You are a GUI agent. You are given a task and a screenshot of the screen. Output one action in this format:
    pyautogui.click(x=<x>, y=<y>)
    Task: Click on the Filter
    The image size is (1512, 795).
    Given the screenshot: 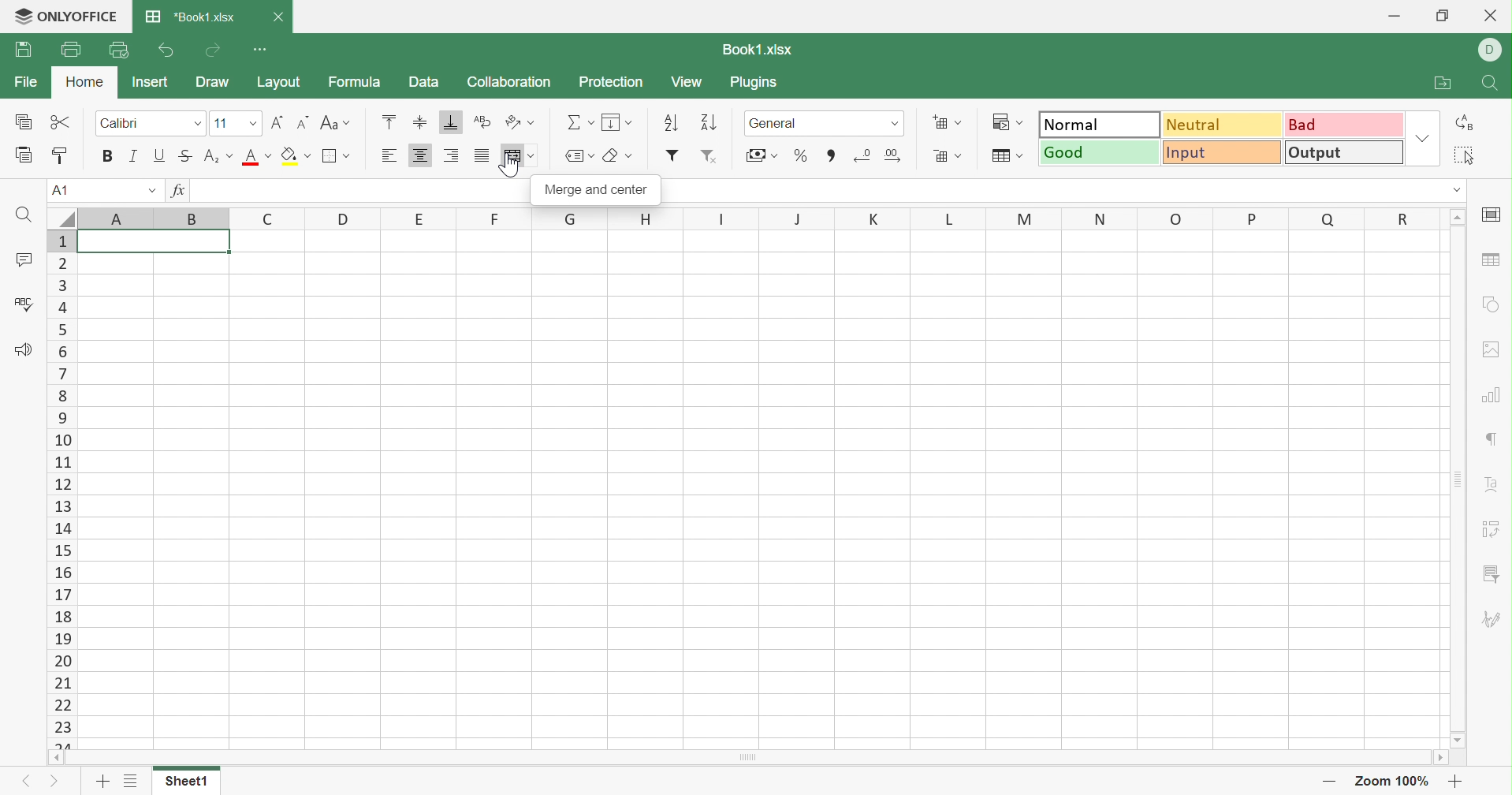 What is the action you would take?
    pyautogui.click(x=672, y=154)
    